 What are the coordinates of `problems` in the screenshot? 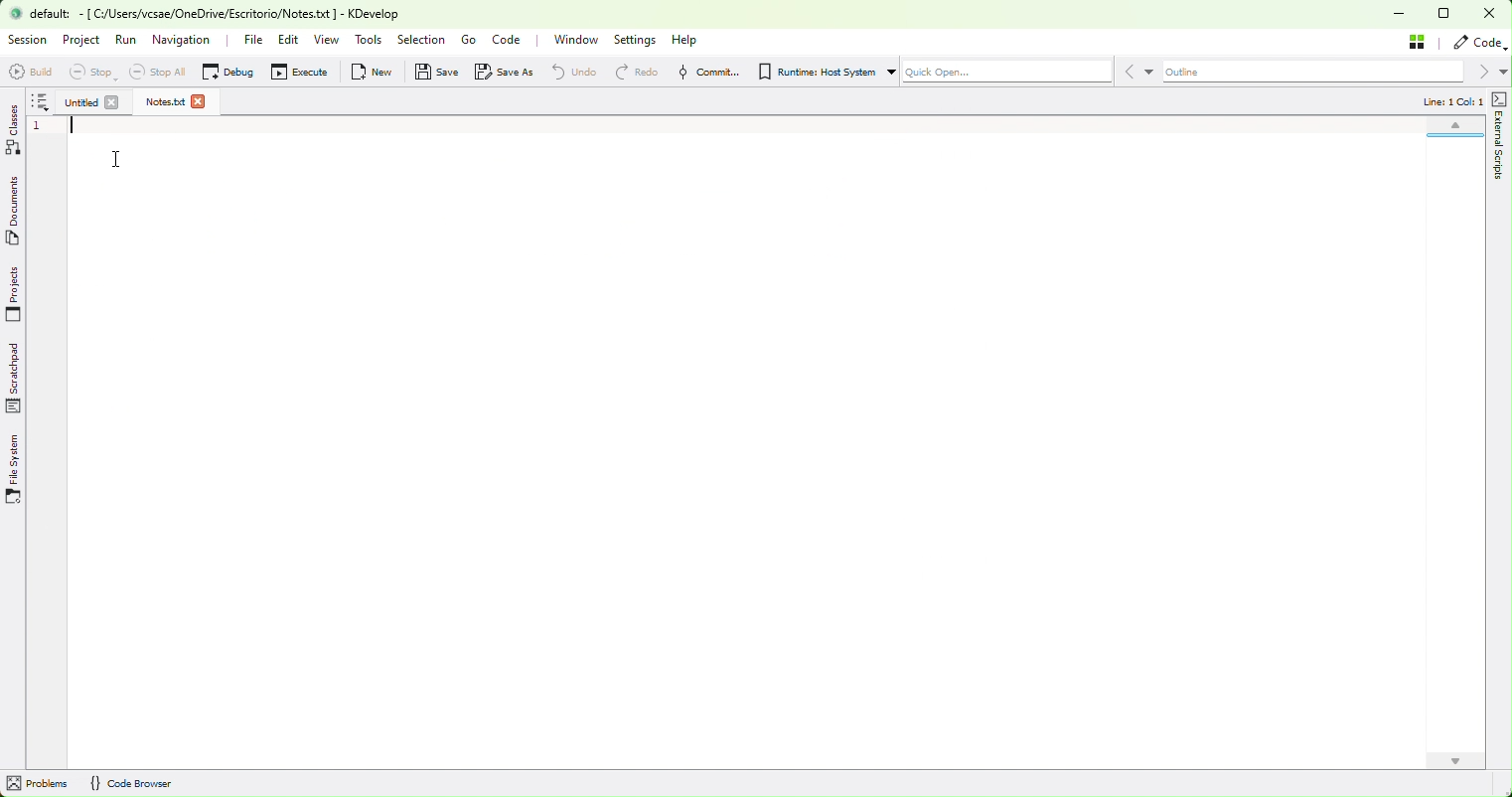 It's located at (40, 784).